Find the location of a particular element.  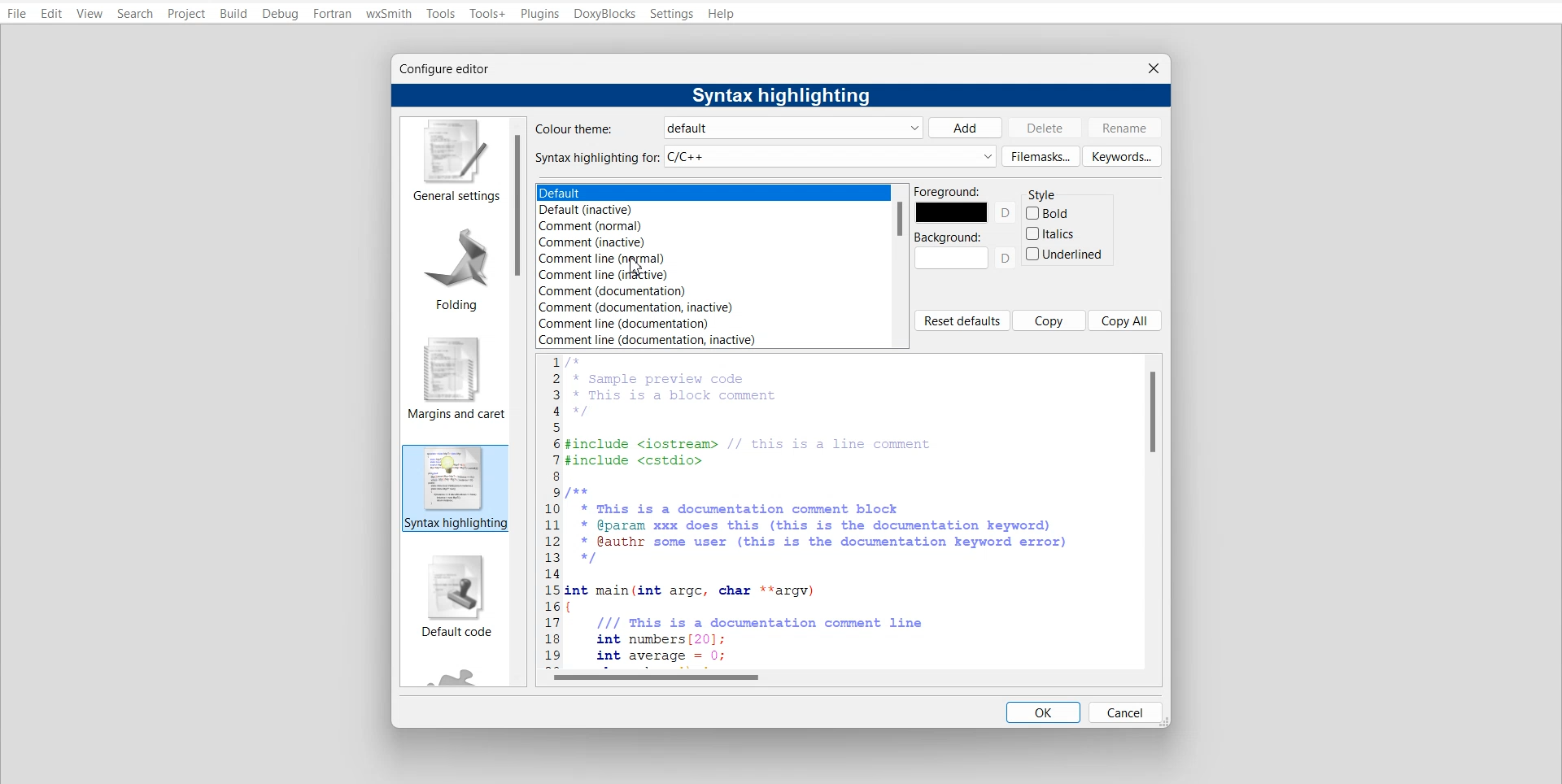

Vertical scroll bar is located at coordinates (1156, 510).